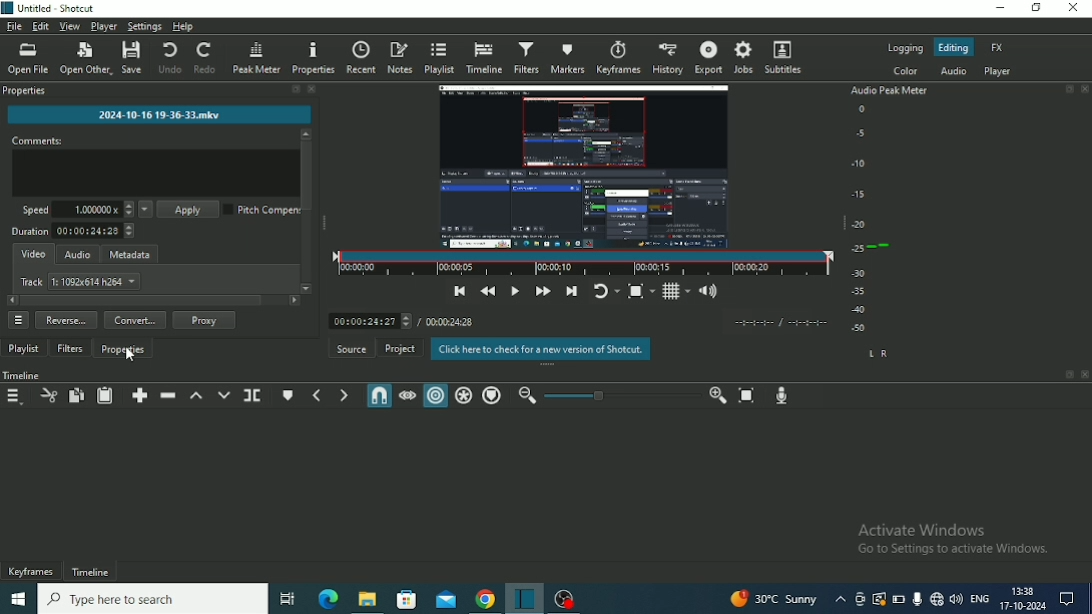  What do you see at coordinates (23, 375) in the screenshot?
I see `Timeline` at bounding box center [23, 375].